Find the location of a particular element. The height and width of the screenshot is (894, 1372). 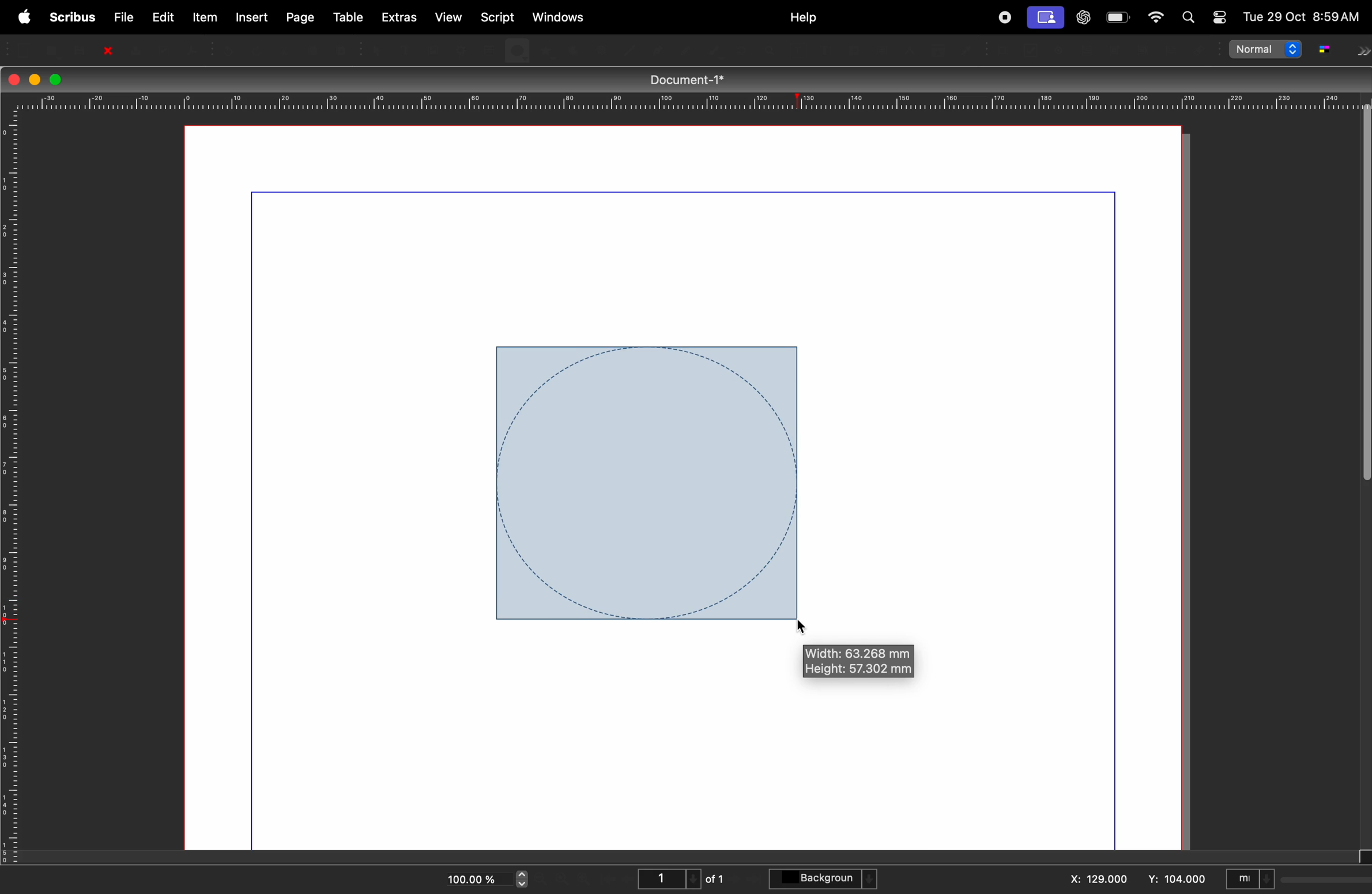

Print is located at coordinates (134, 50).